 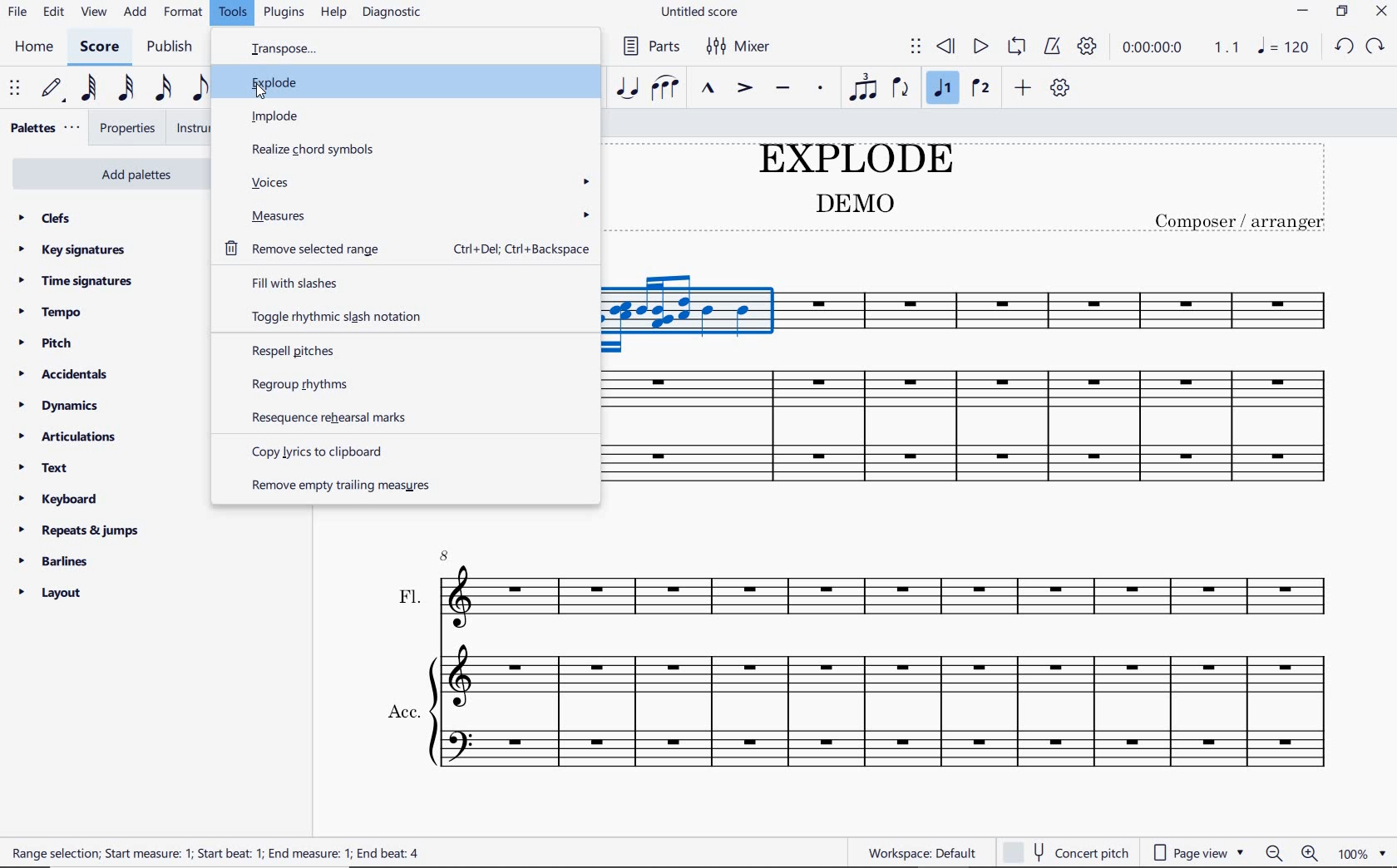 What do you see at coordinates (50, 594) in the screenshot?
I see `layout` at bounding box center [50, 594].